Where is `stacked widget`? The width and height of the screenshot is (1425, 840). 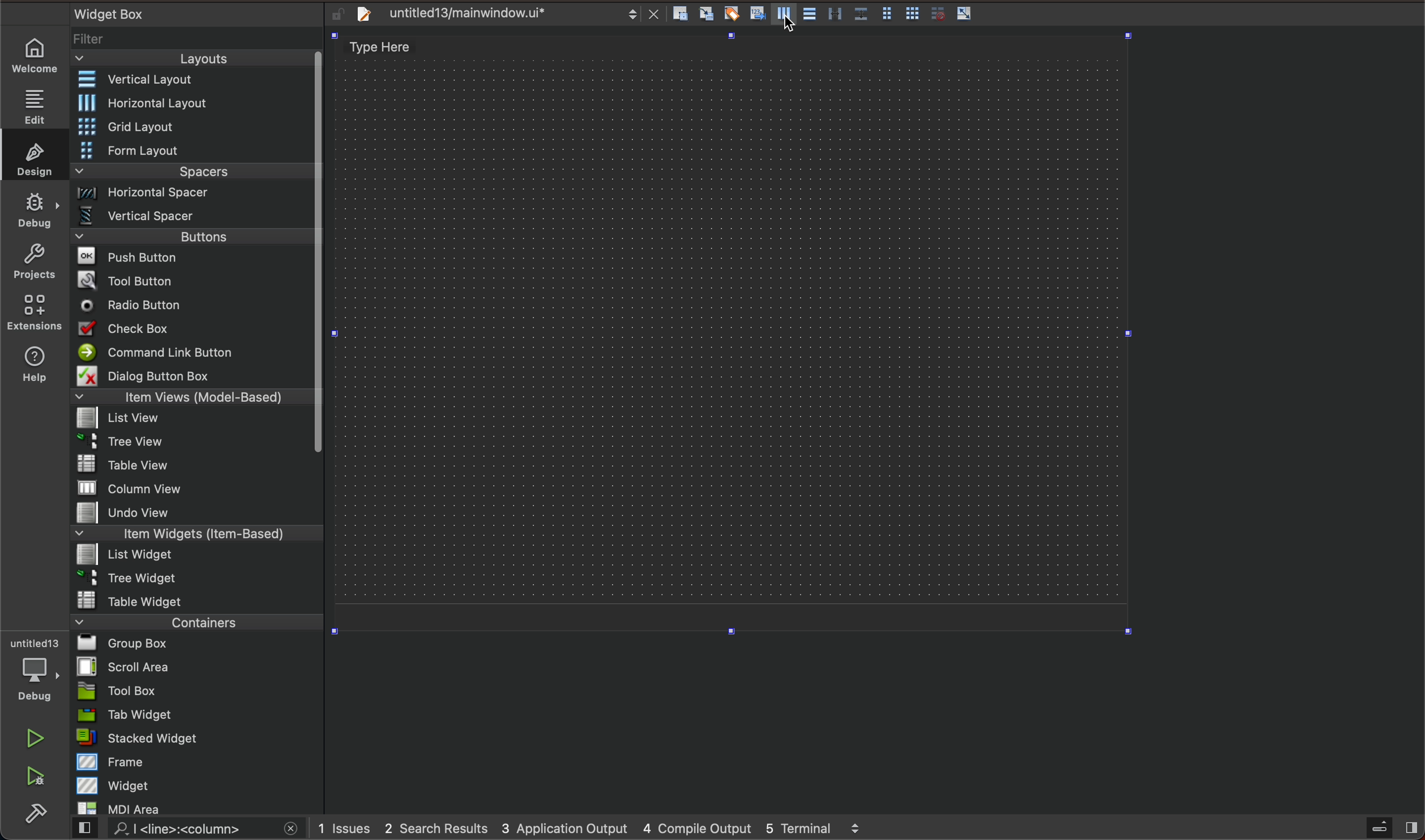 stacked widget is located at coordinates (194, 739).